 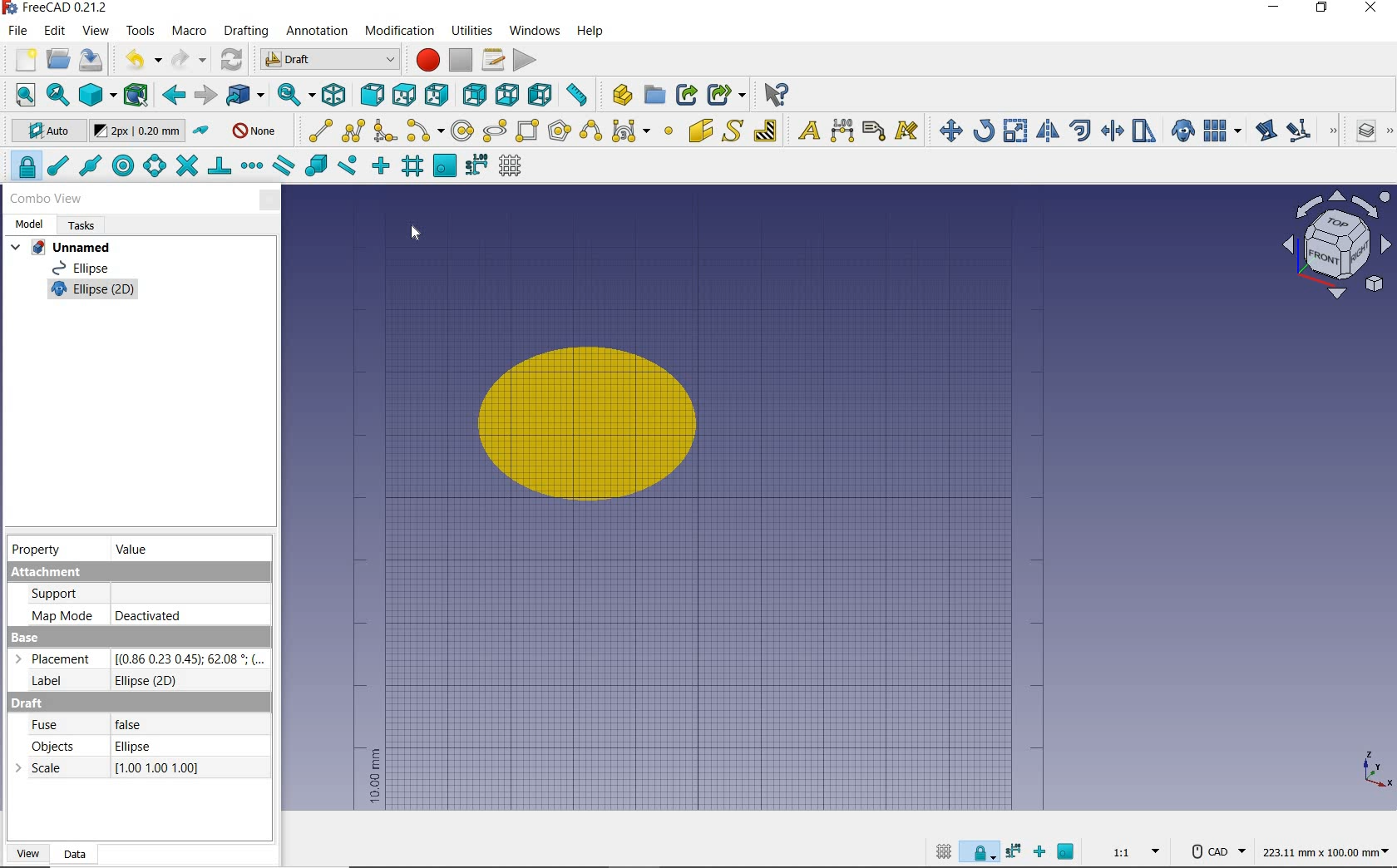 I want to click on rectangle, so click(x=527, y=132).